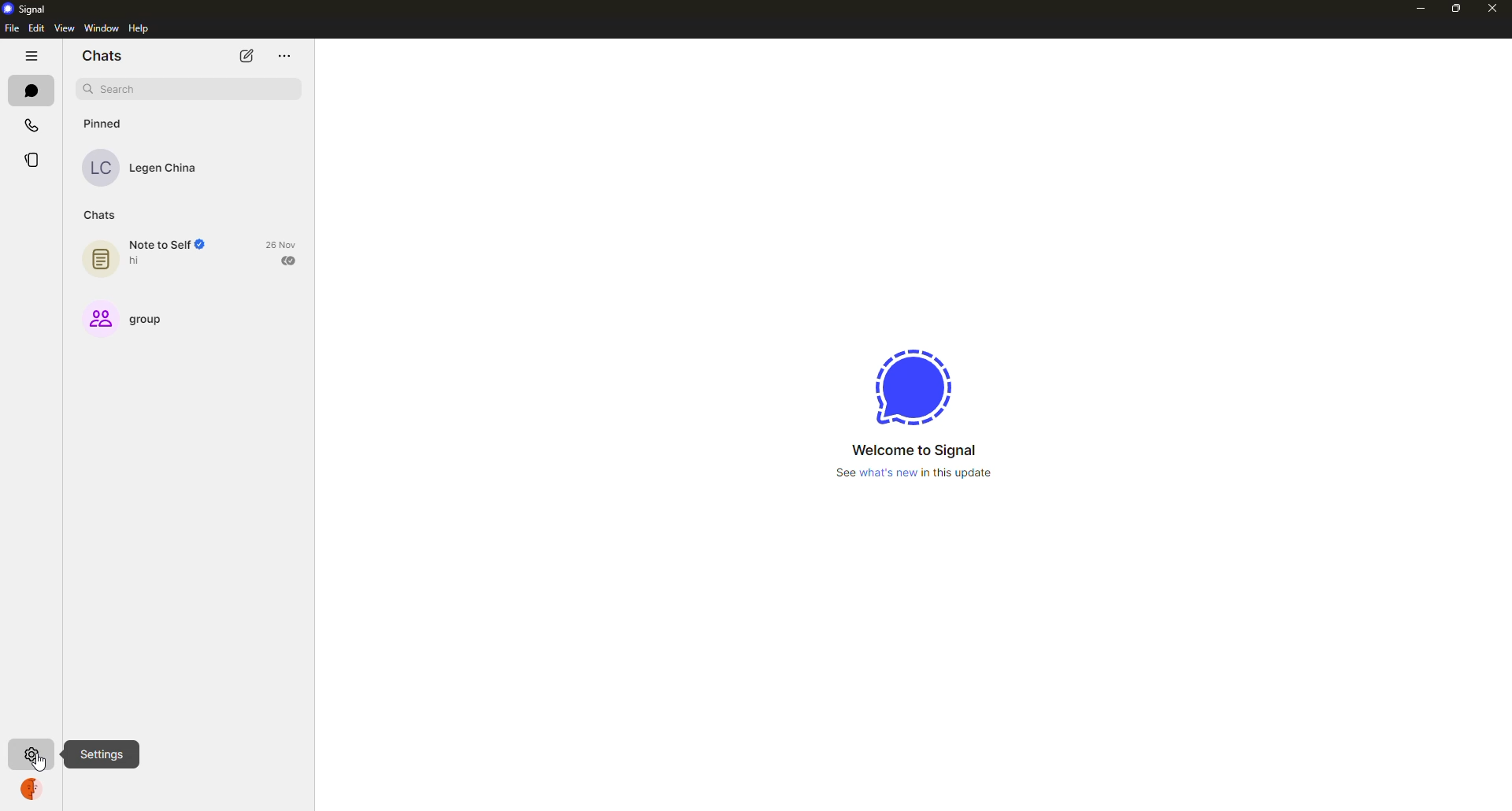 This screenshot has height=811, width=1512. What do you see at coordinates (30, 790) in the screenshot?
I see `profile` at bounding box center [30, 790].